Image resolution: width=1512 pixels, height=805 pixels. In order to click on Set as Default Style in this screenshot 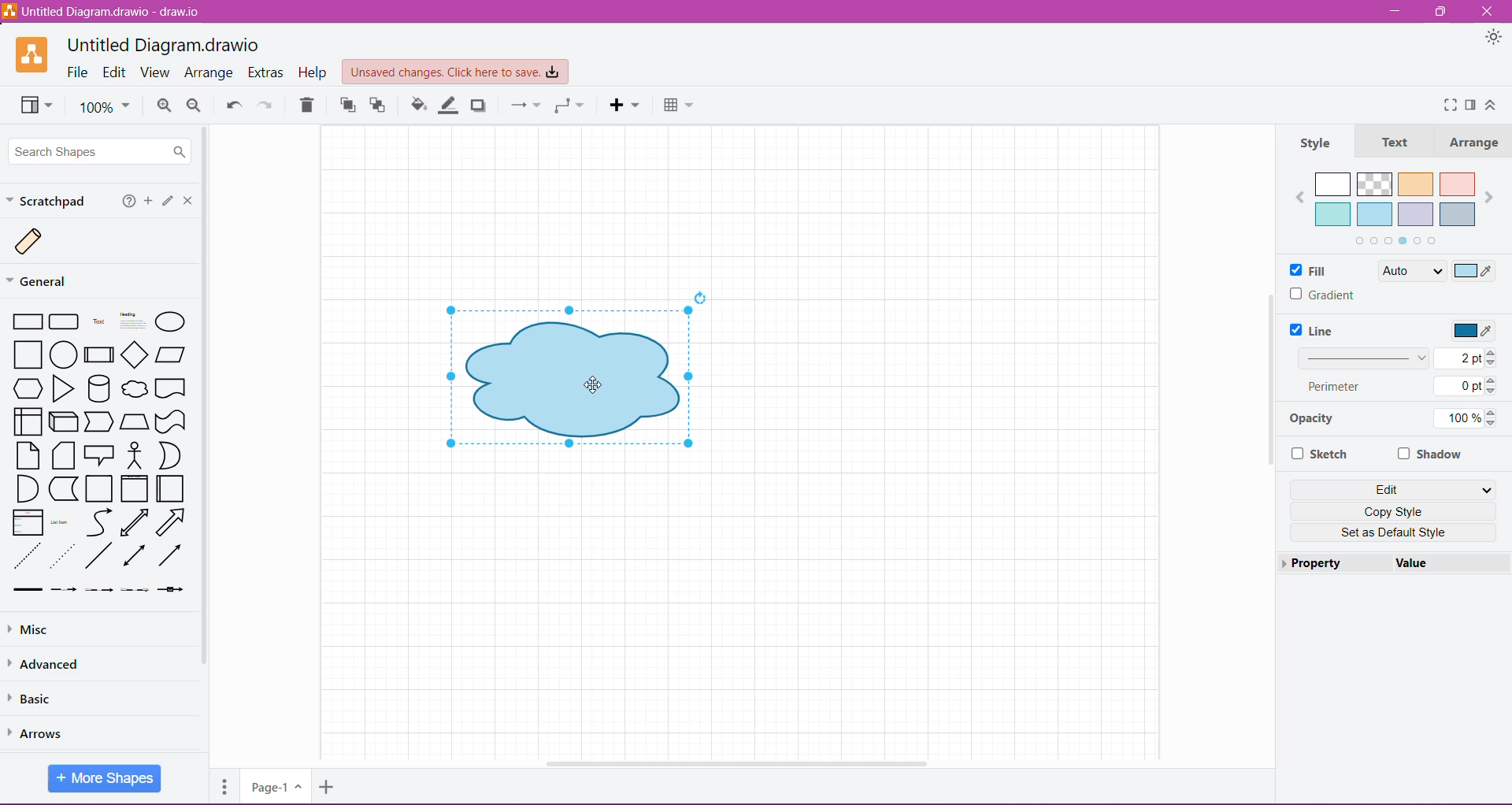, I will do `click(1395, 532)`.